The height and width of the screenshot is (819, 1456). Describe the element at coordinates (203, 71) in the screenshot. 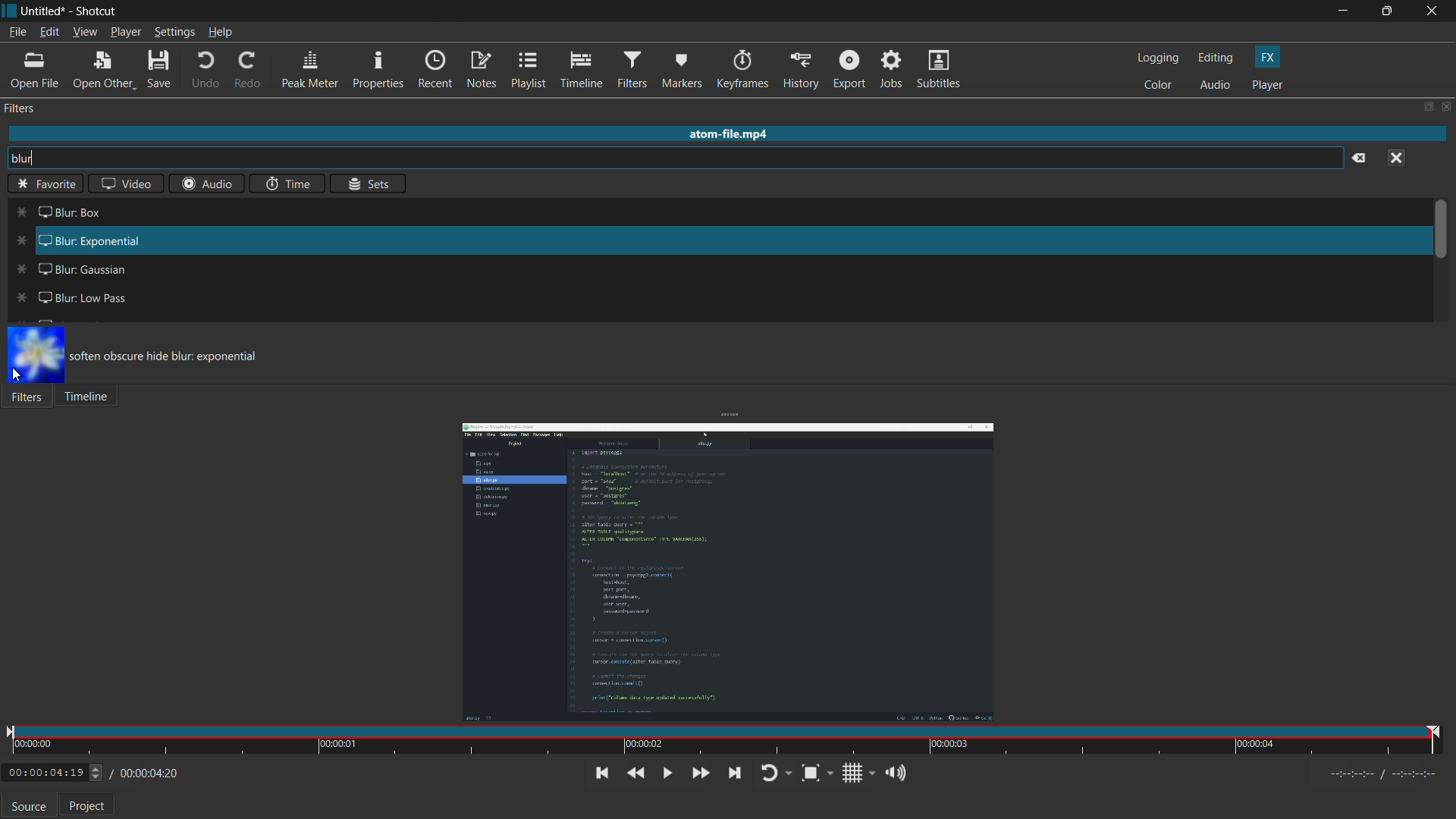

I see `undo` at that location.